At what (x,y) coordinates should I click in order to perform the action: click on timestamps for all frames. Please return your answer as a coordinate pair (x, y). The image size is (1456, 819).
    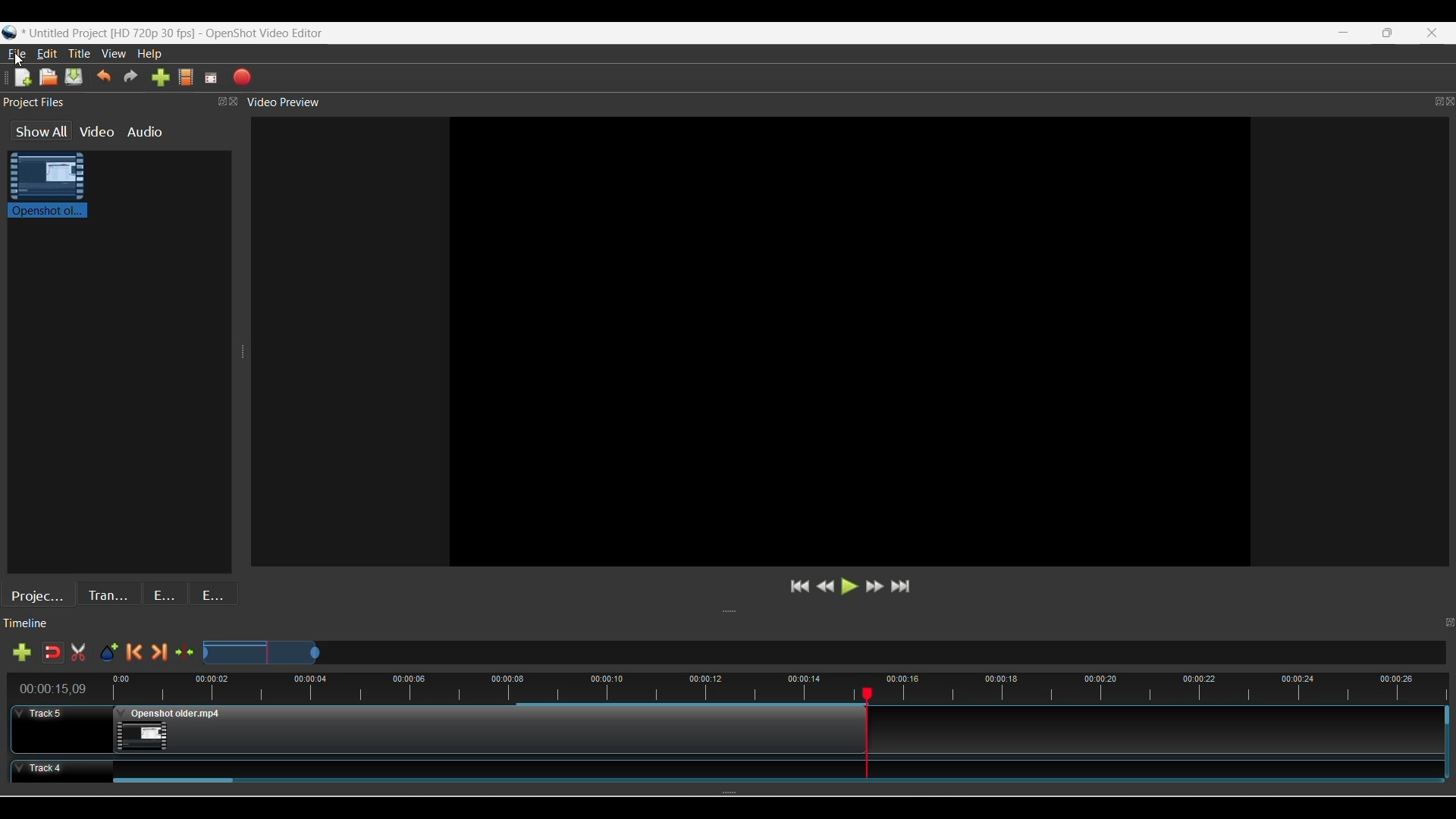
    Looking at the image, I should click on (1169, 686).